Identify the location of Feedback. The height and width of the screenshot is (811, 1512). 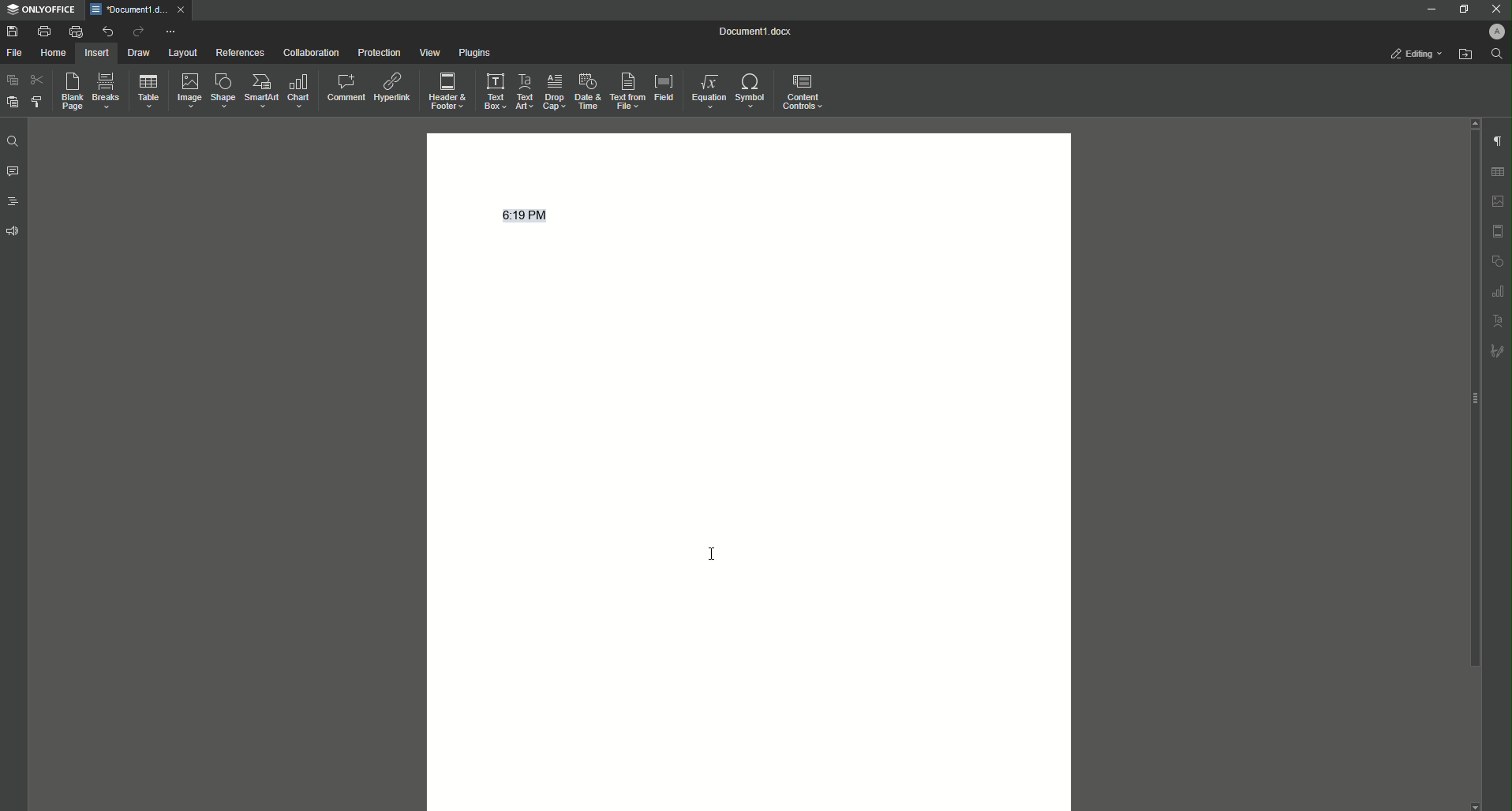
(14, 231).